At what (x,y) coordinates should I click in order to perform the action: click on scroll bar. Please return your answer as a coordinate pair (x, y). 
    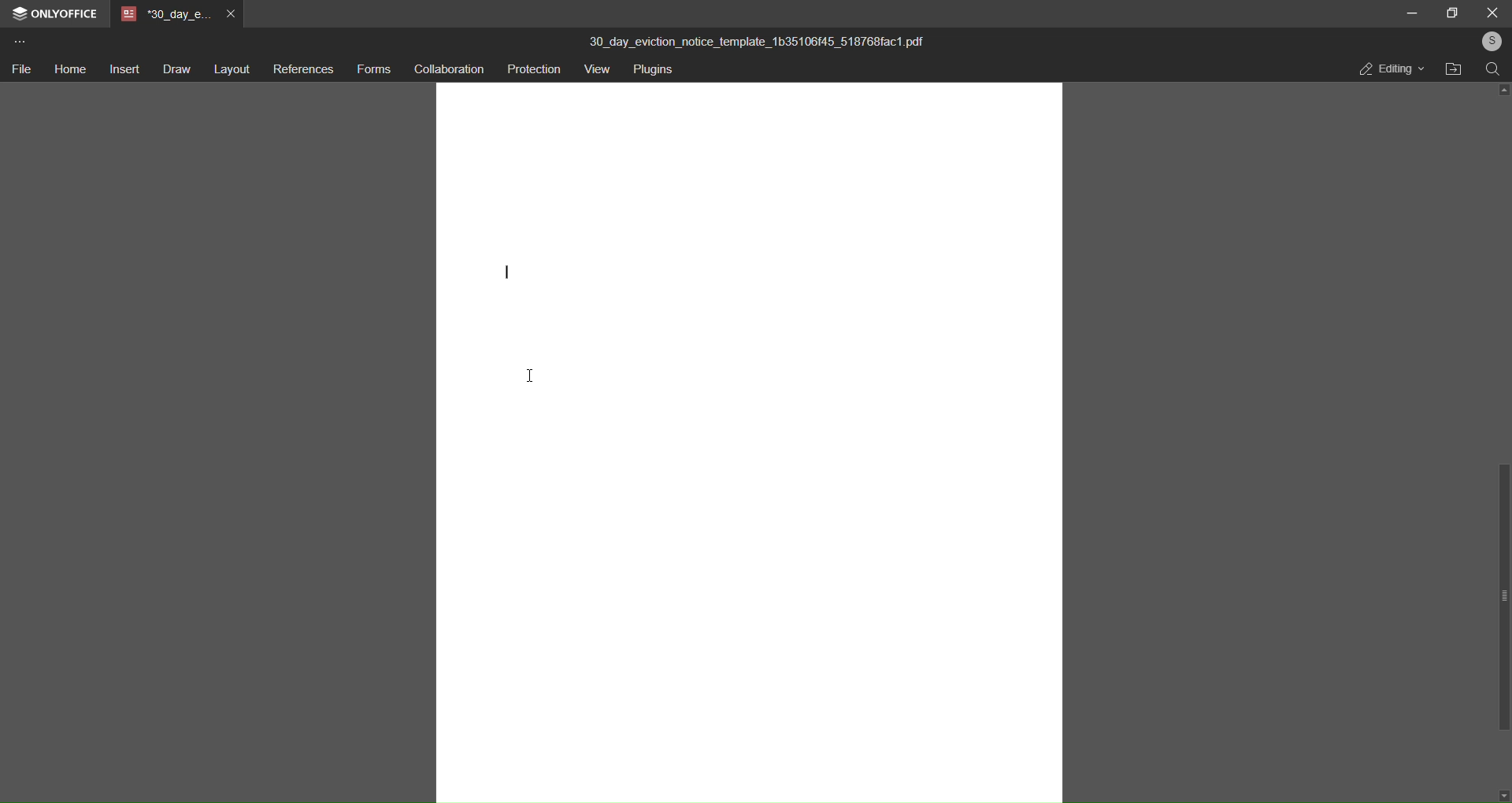
    Looking at the image, I should click on (1503, 597).